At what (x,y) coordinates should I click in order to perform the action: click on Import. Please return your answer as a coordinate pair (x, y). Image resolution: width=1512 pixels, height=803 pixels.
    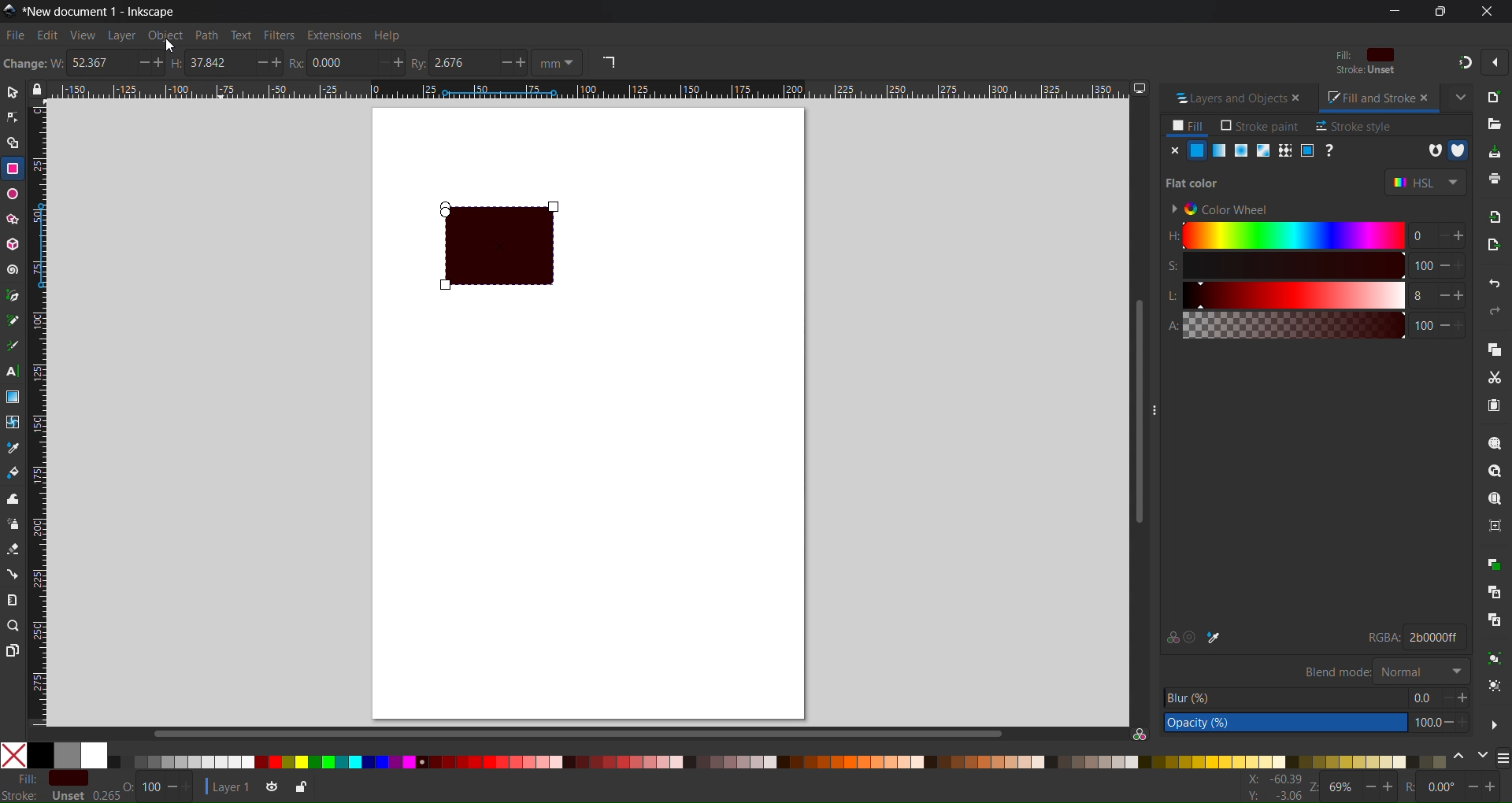
    Looking at the image, I should click on (1495, 216).